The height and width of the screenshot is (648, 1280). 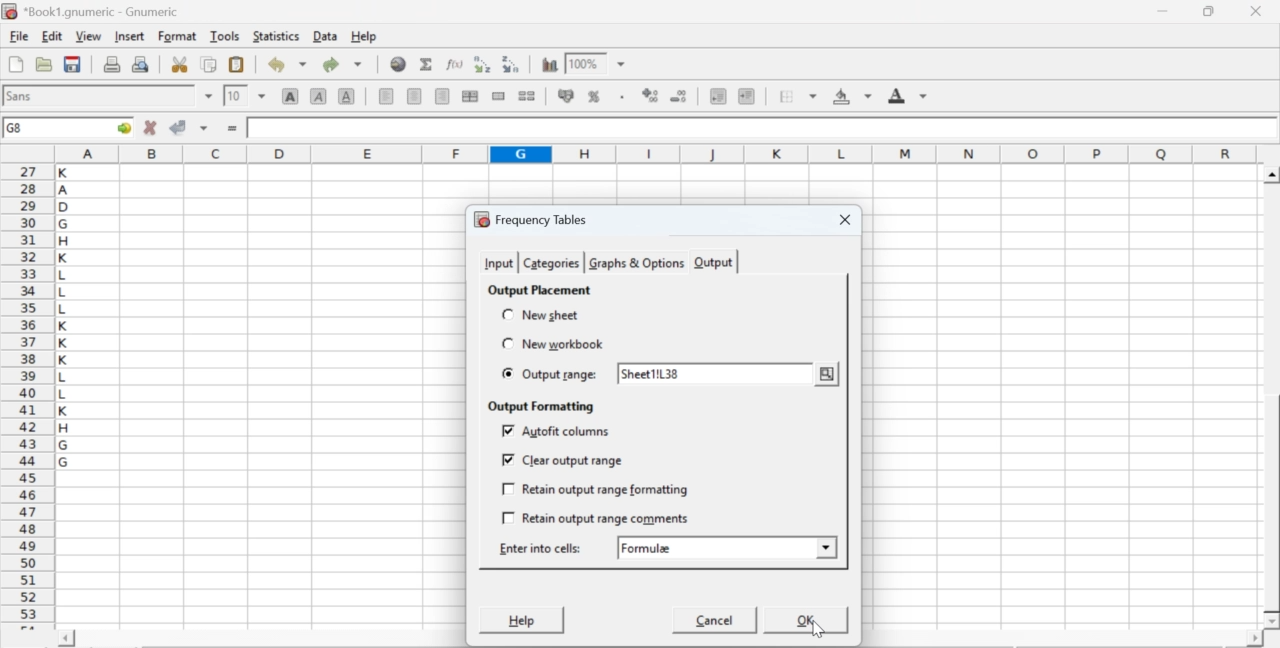 What do you see at coordinates (550, 344) in the screenshot?
I see `new workbook` at bounding box center [550, 344].